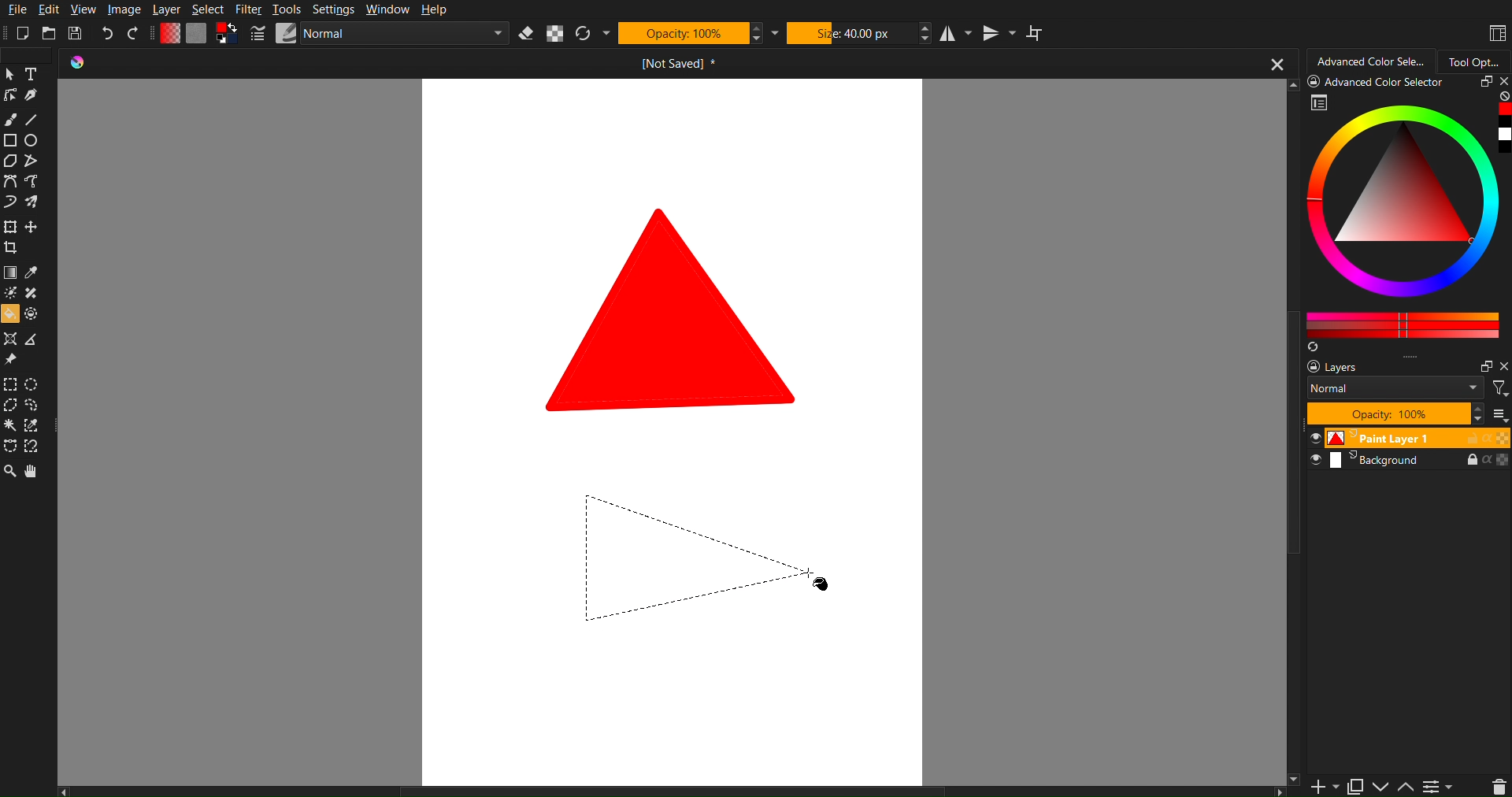 The width and height of the screenshot is (1512, 797). I want to click on Open, so click(50, 32).